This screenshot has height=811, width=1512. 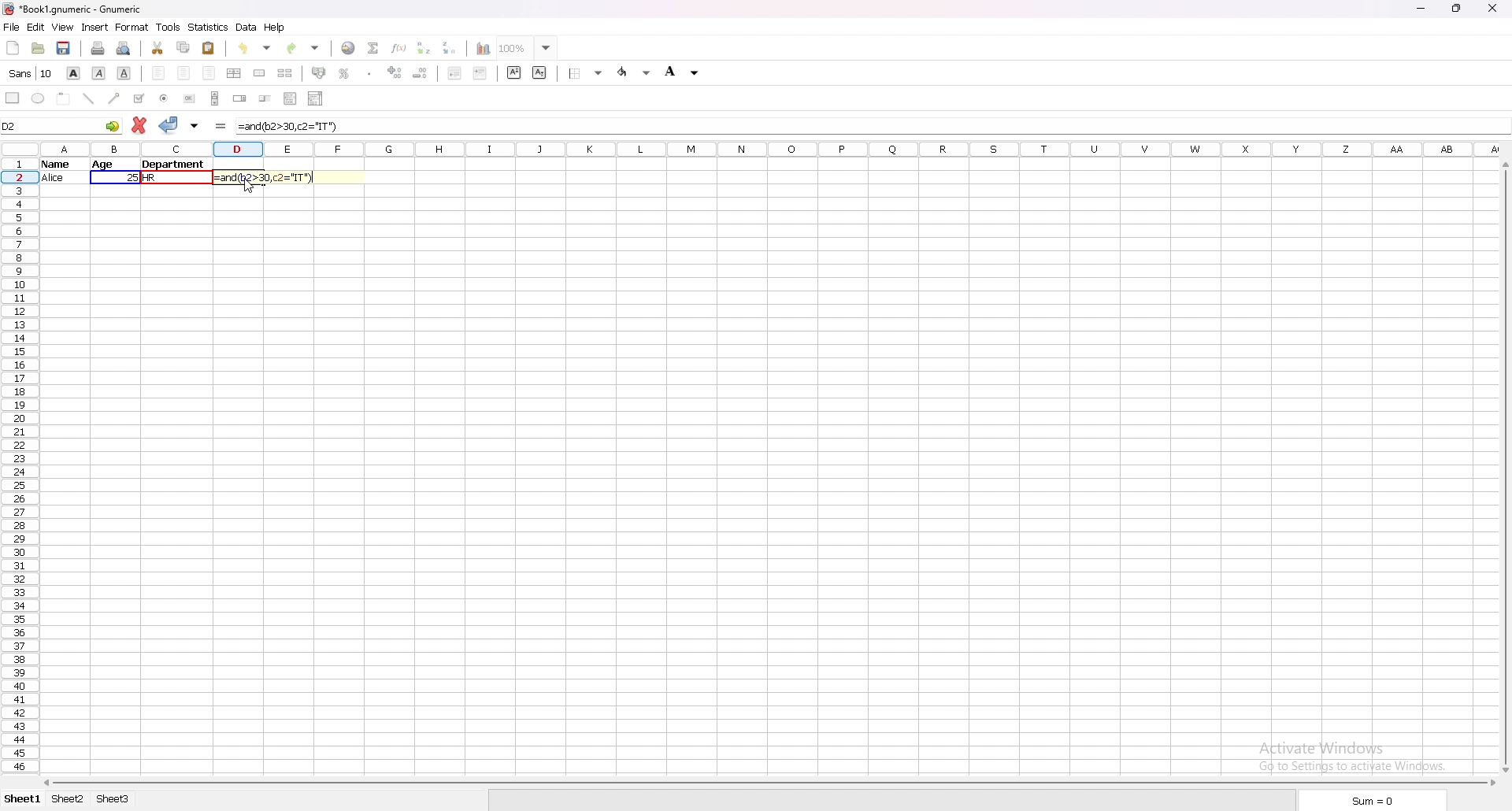 What do you see at coordinates (12, 49) in the screenshot?
I see `new` at bounding box center [12, 49].